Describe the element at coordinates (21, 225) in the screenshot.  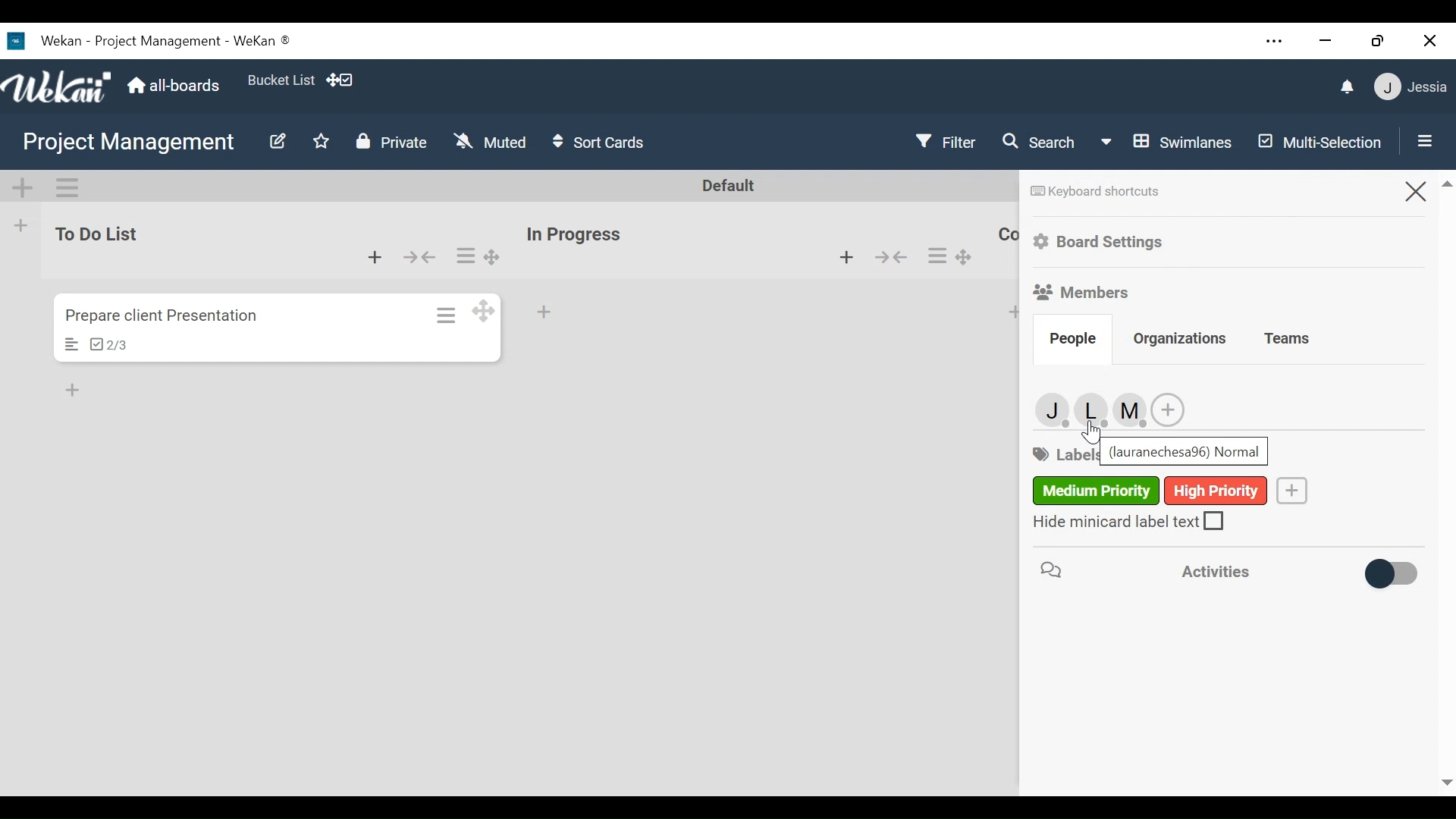
I see `Add list` at that location.